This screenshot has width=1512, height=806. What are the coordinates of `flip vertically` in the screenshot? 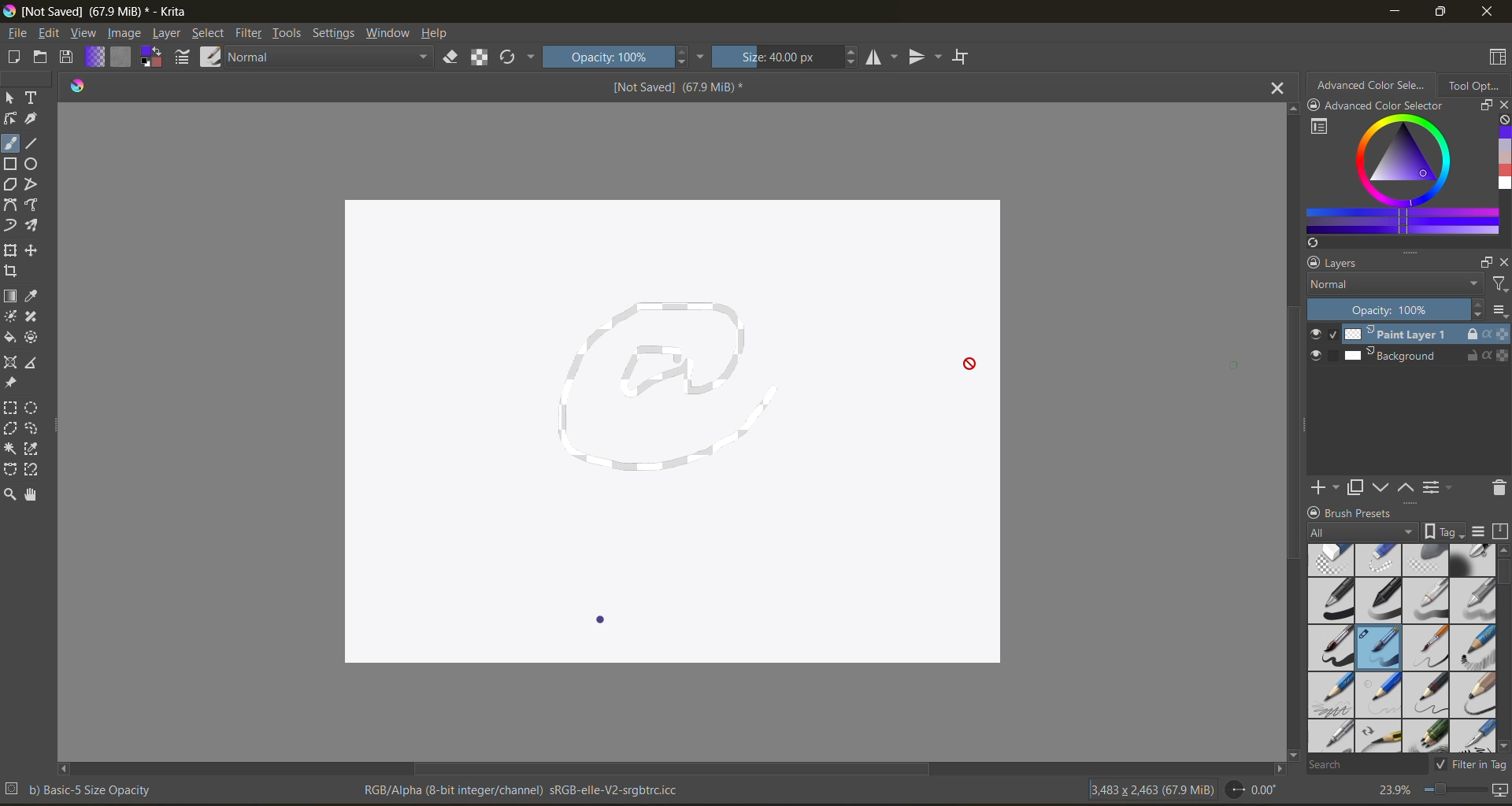 It's located at (925, 57).